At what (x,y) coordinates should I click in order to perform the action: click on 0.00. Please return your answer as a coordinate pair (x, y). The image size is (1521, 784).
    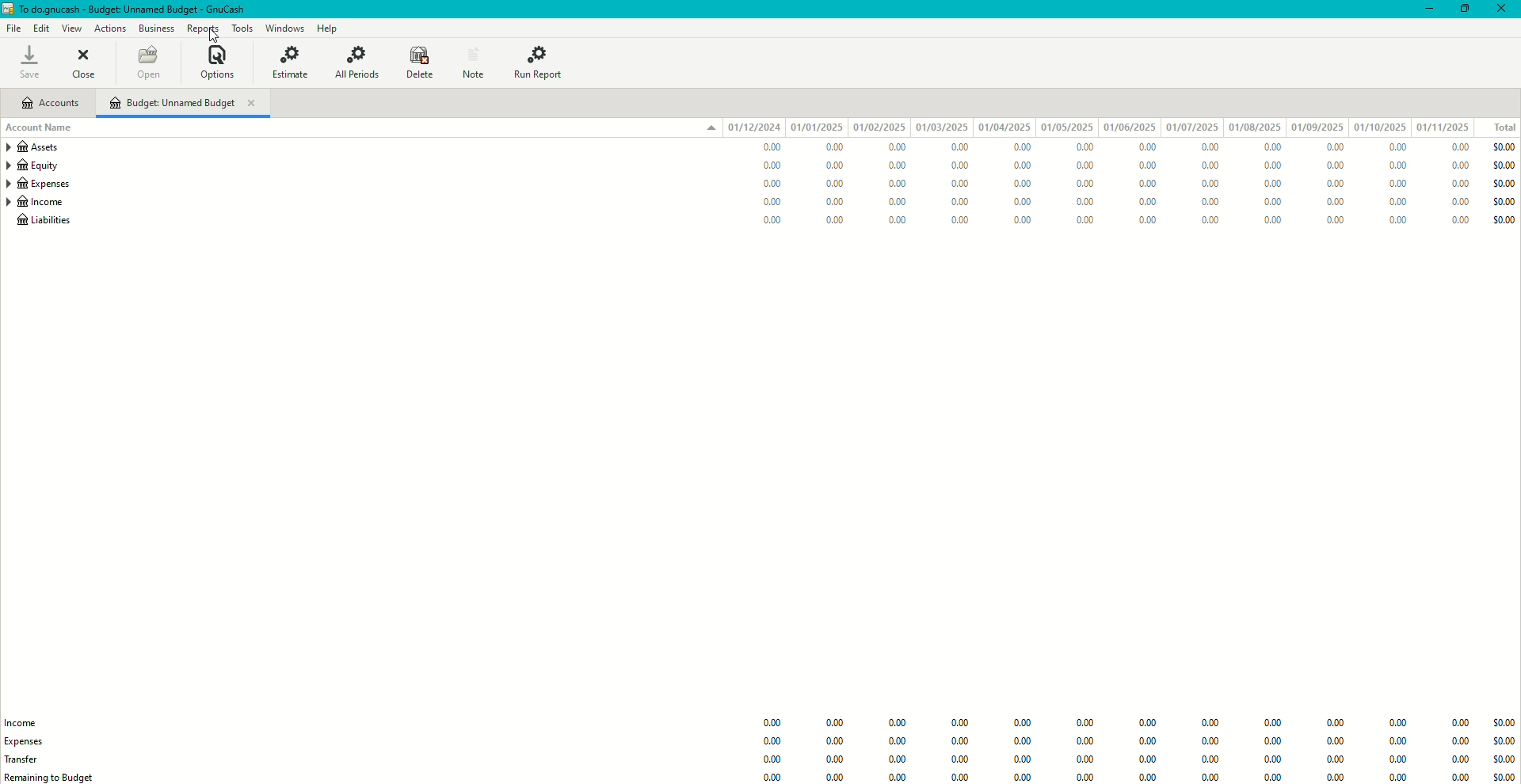
    Looking at the image, I should click on (1147, 199).